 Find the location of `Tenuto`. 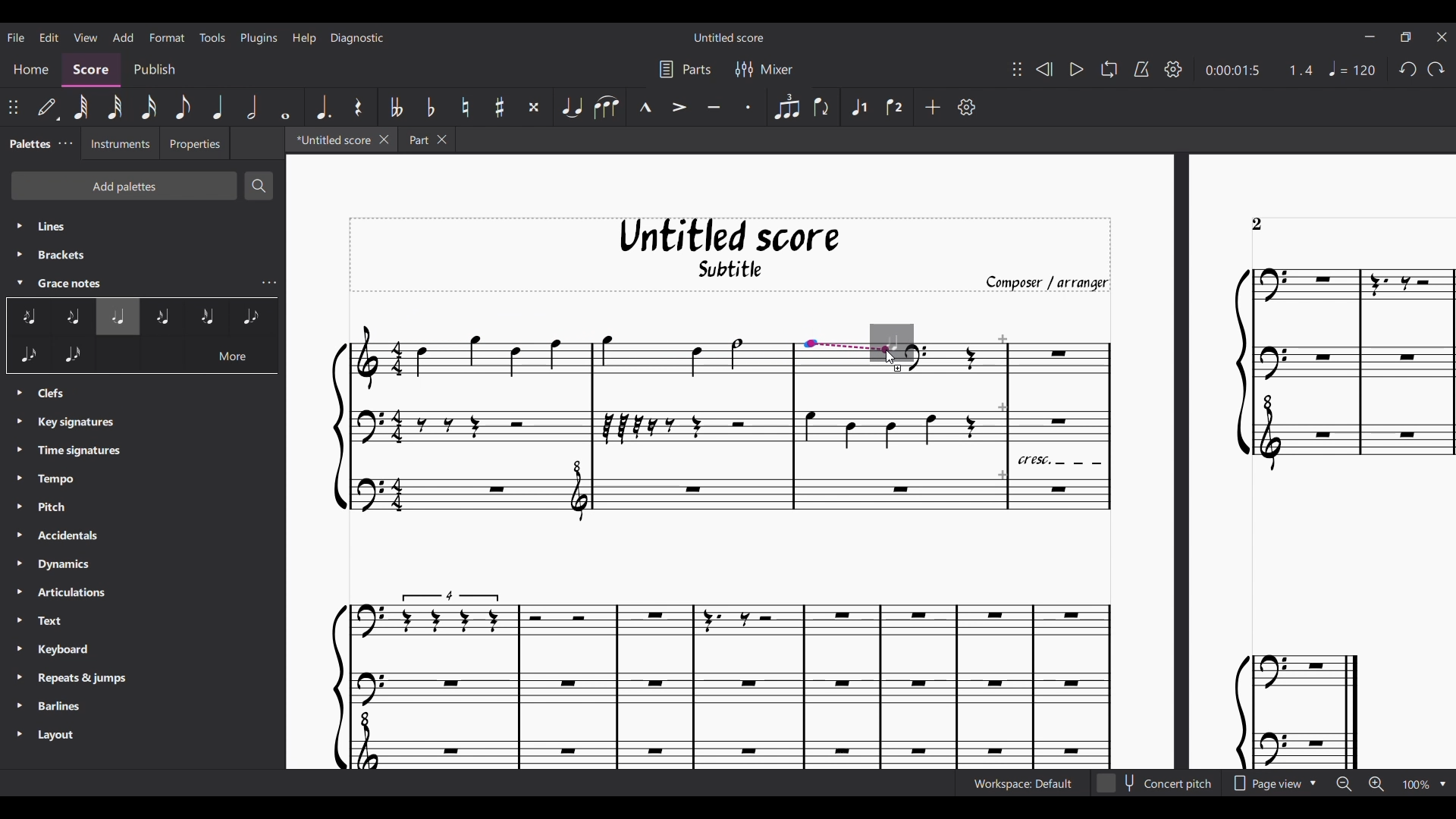

Tenuto is located at coordinates (714, 106).